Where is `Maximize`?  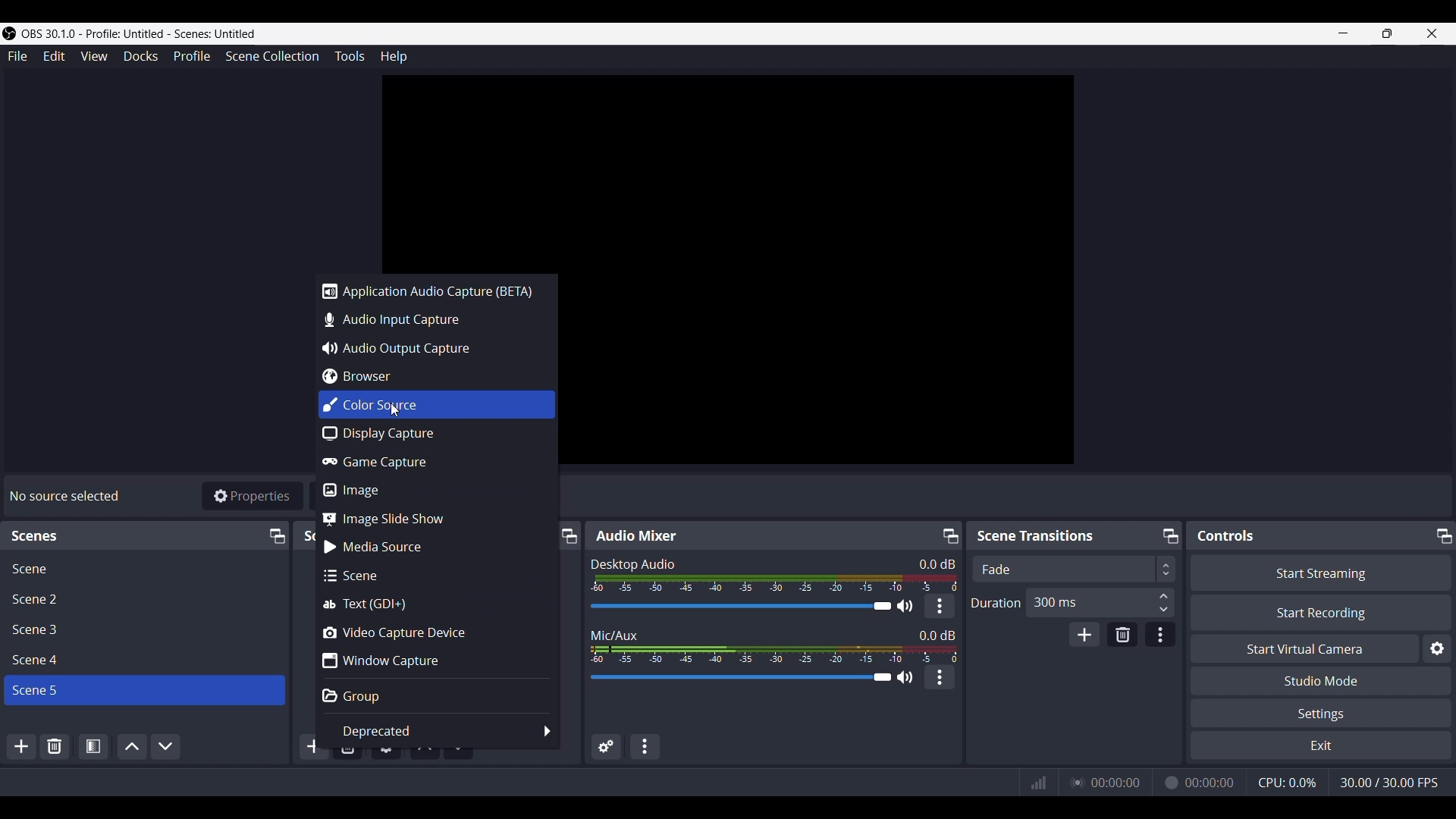 Maximize is located at coordinates (569, 535).